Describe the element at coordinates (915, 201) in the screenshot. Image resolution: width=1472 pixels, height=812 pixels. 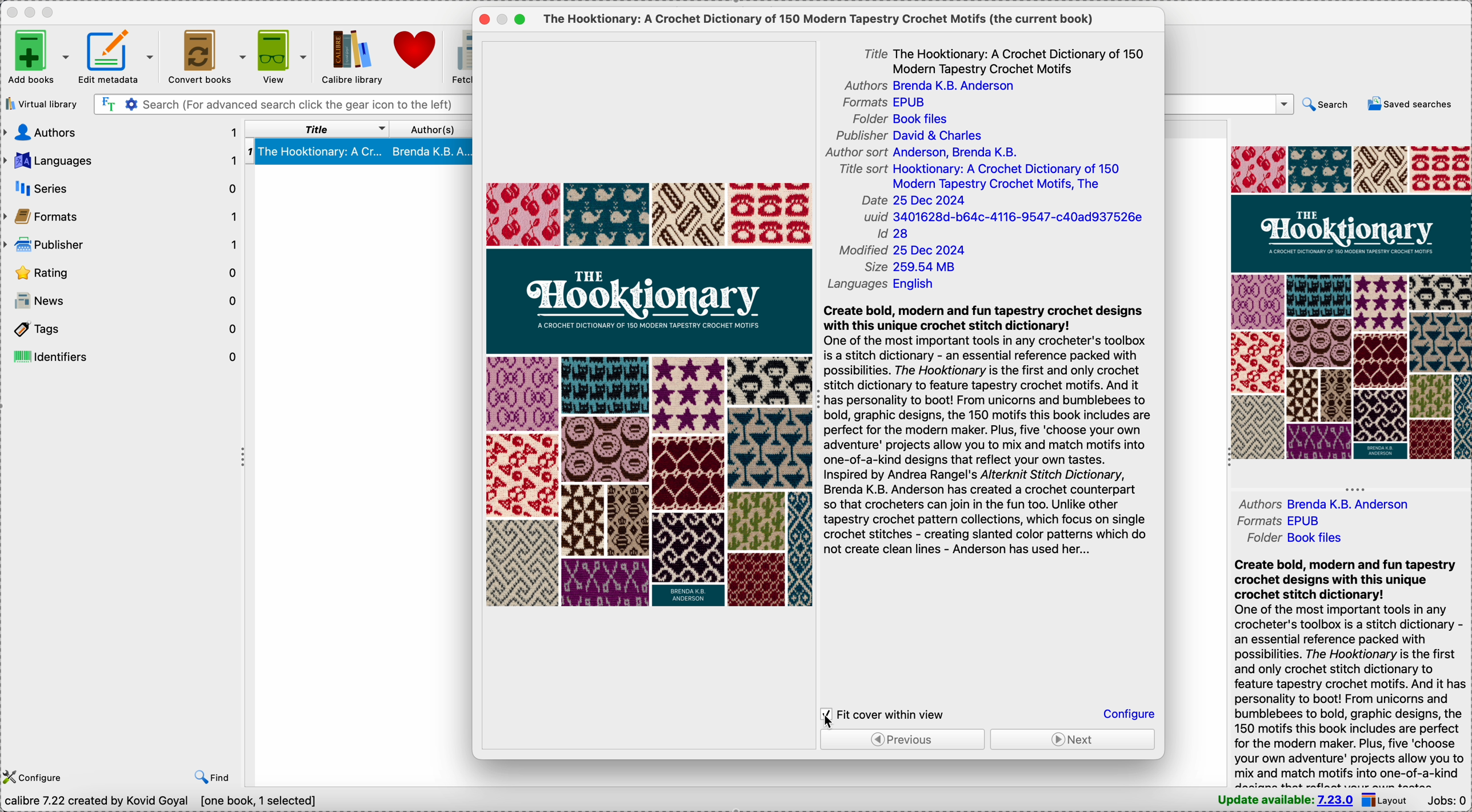
I see `date` at that location.